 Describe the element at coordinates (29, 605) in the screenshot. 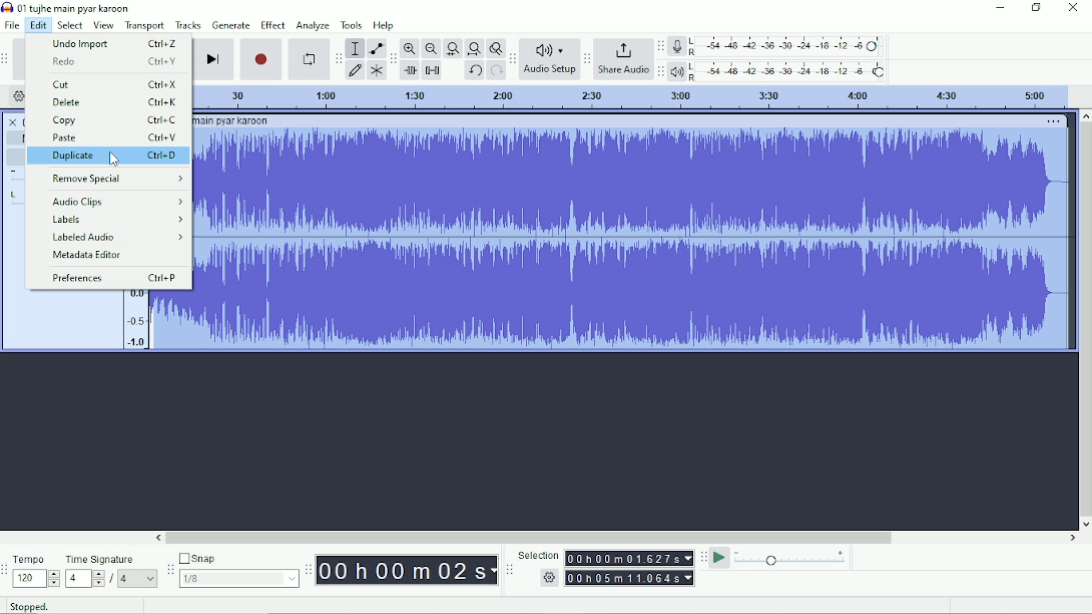

I see `Stopped` at that location.